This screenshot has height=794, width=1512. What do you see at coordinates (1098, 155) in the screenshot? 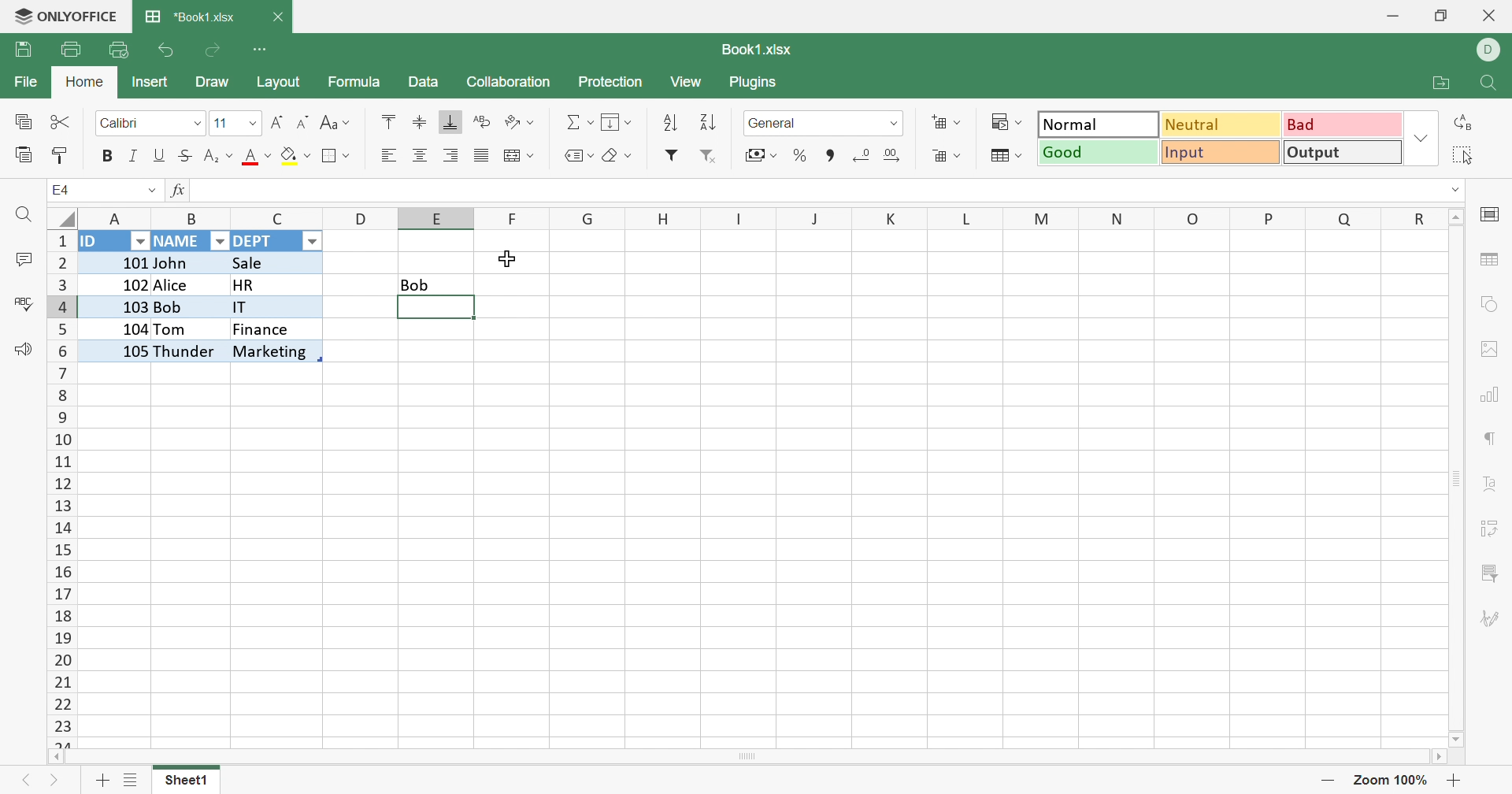
I see `Good` at bounding box center [1098, 155].